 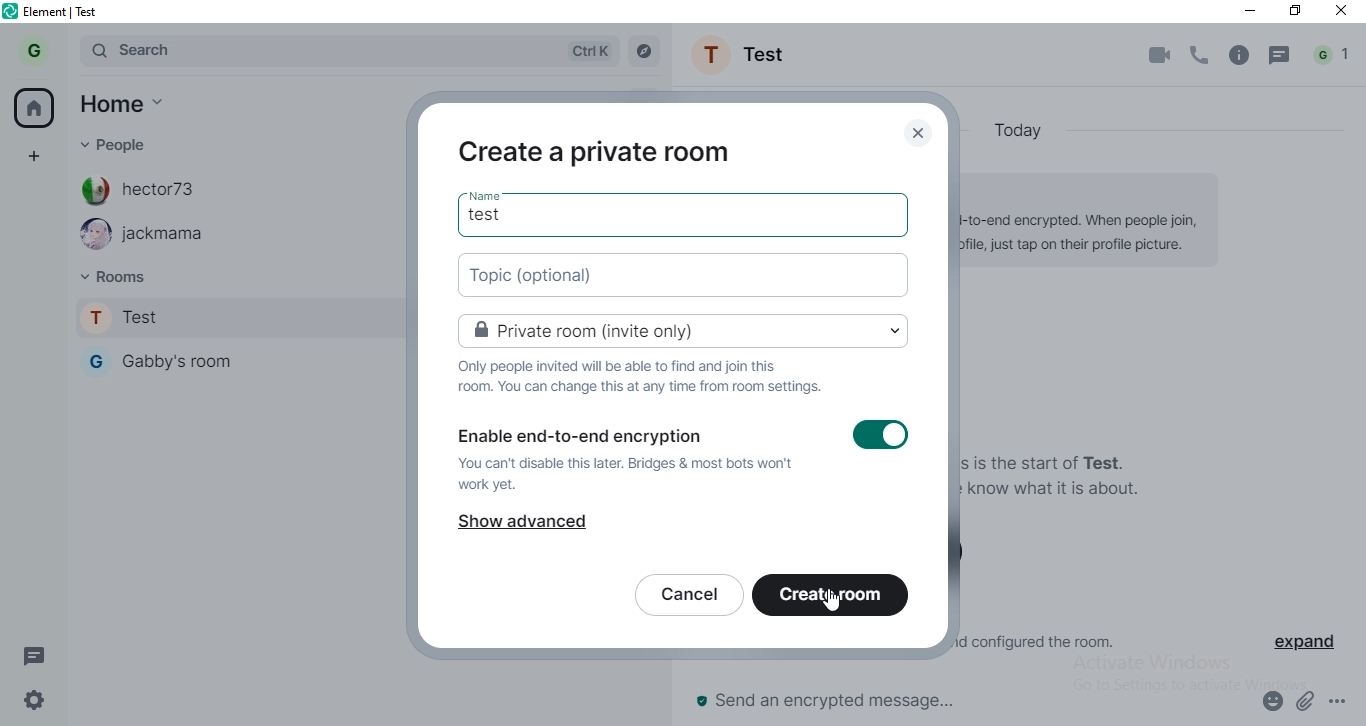 I want to click on search bar, so click(x=347, y=51).